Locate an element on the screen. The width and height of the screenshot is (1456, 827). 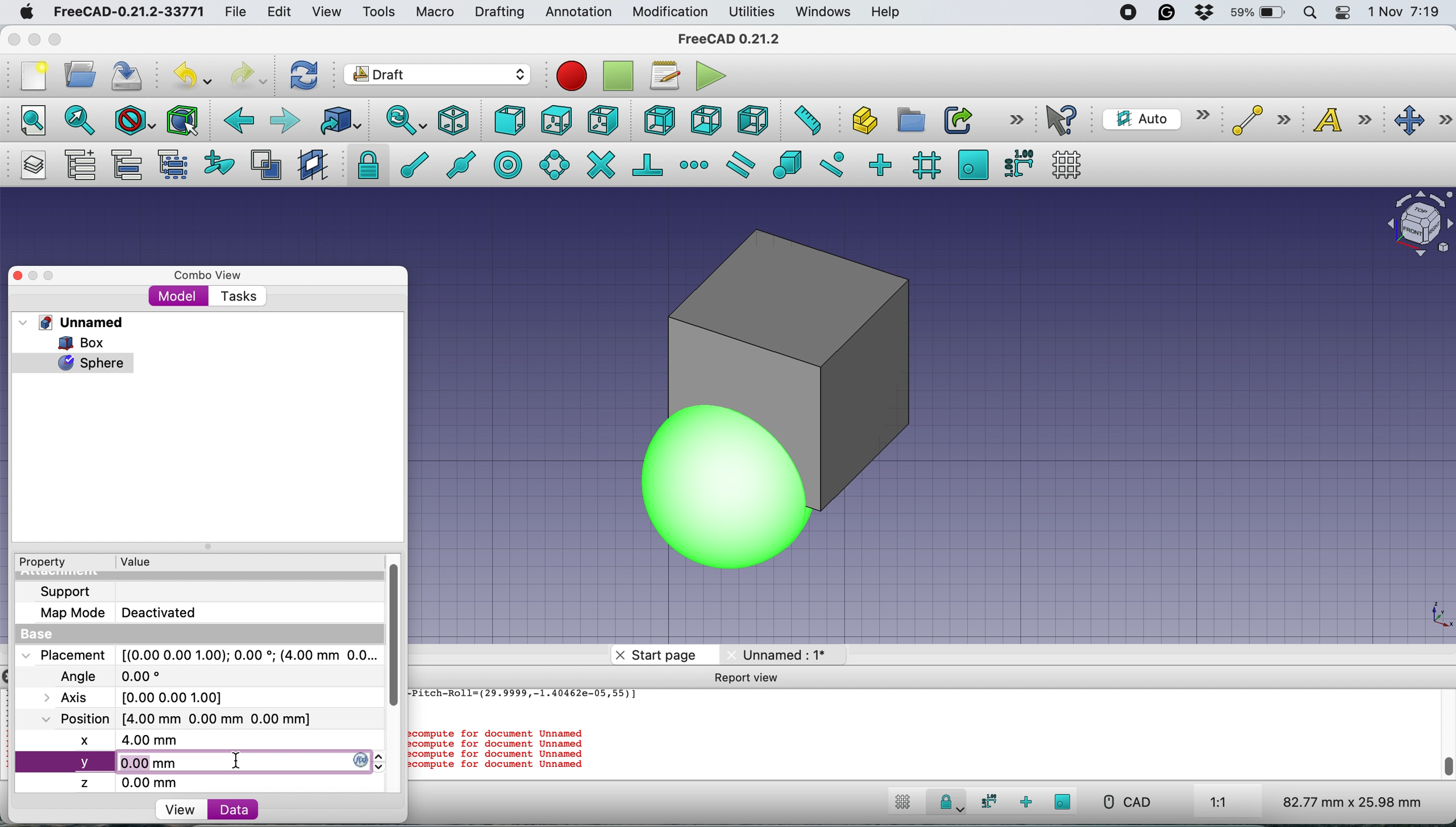
cad is located at coordinates (1126, 802).